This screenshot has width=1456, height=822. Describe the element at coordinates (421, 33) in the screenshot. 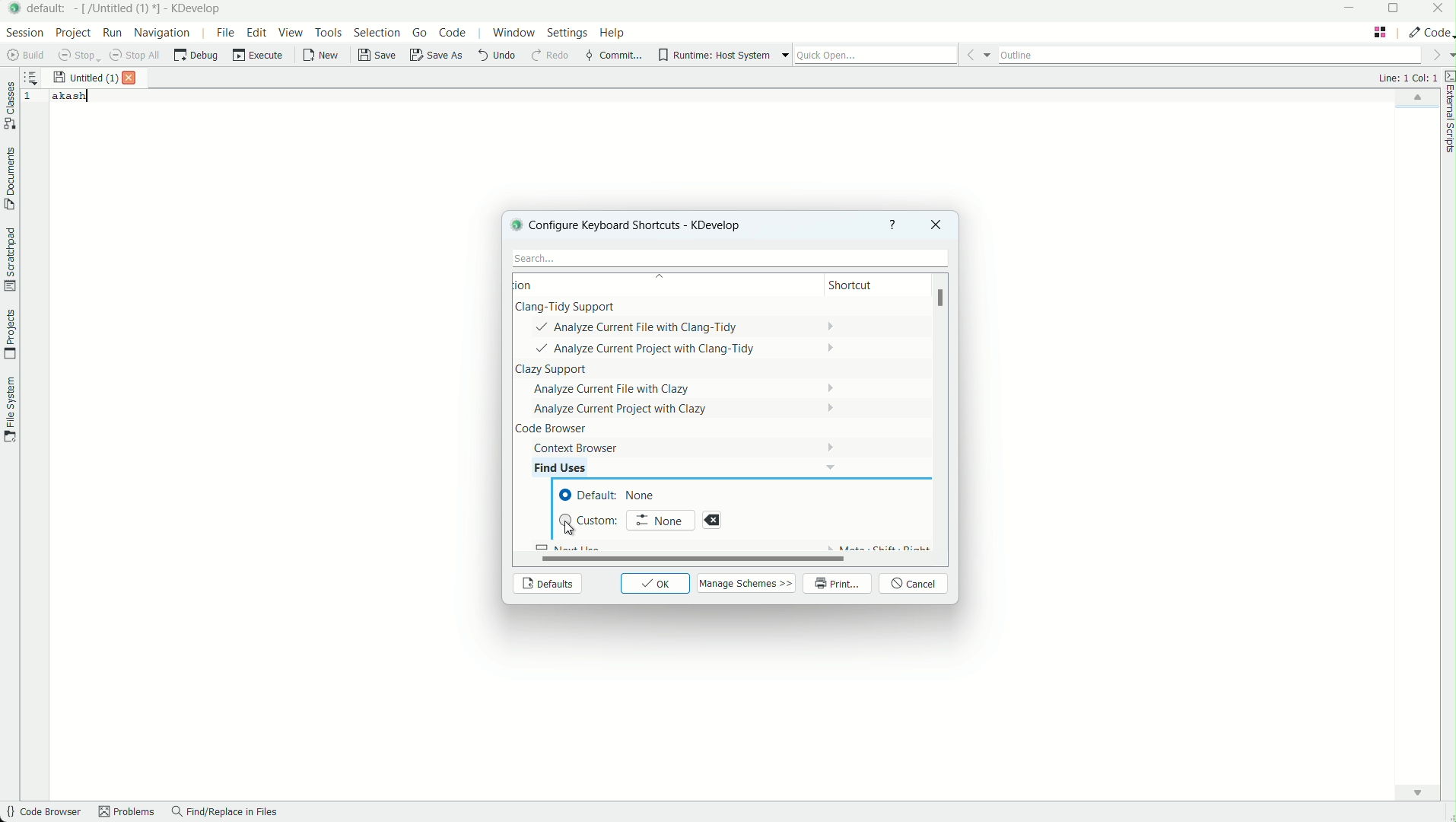

I see `go menu` at that location.